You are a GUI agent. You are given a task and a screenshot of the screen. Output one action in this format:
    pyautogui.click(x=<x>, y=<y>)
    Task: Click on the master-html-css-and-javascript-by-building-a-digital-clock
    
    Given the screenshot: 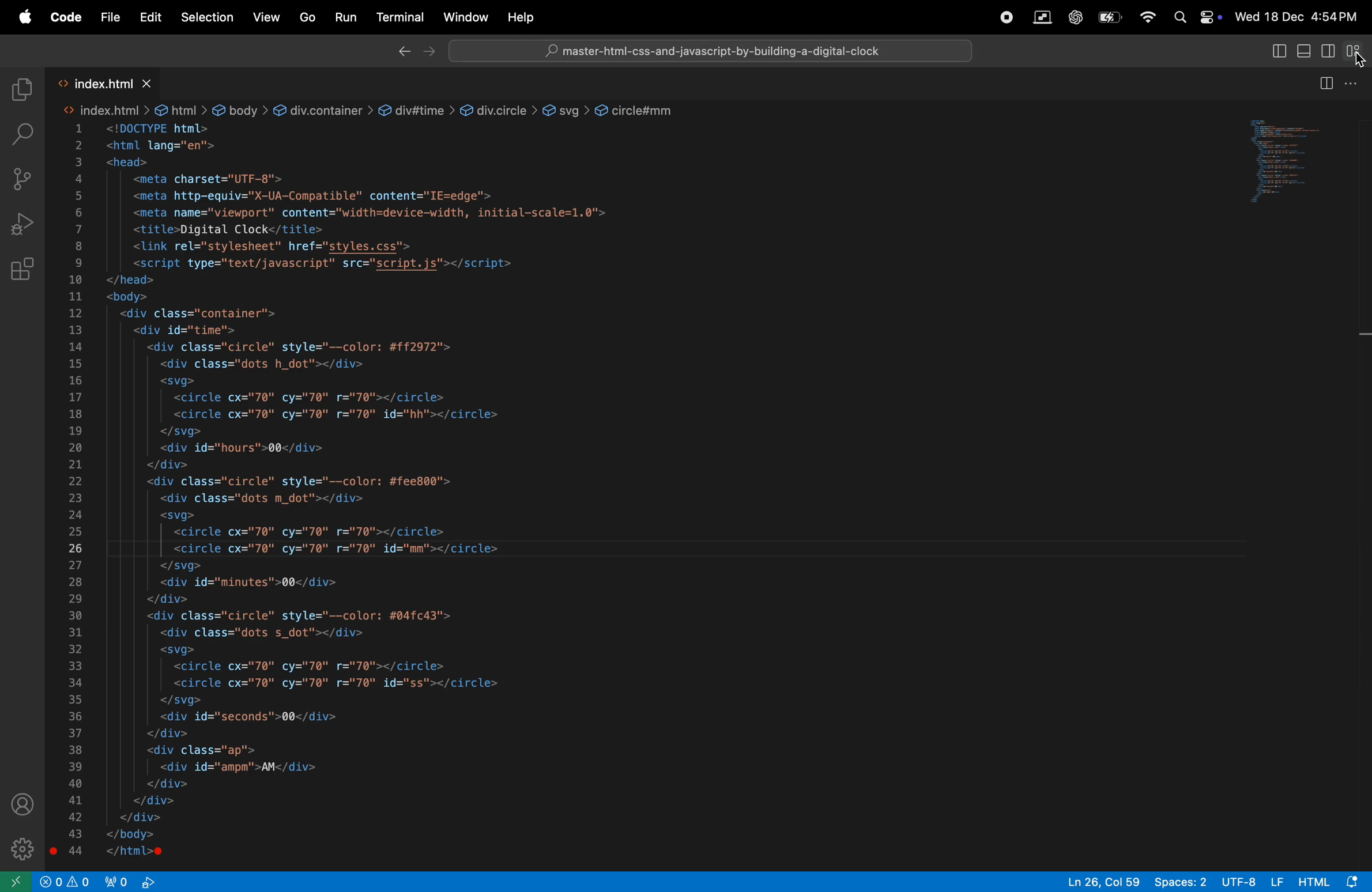 What is the action you would take?
    pyautogui.click(x=721, y=52)
    